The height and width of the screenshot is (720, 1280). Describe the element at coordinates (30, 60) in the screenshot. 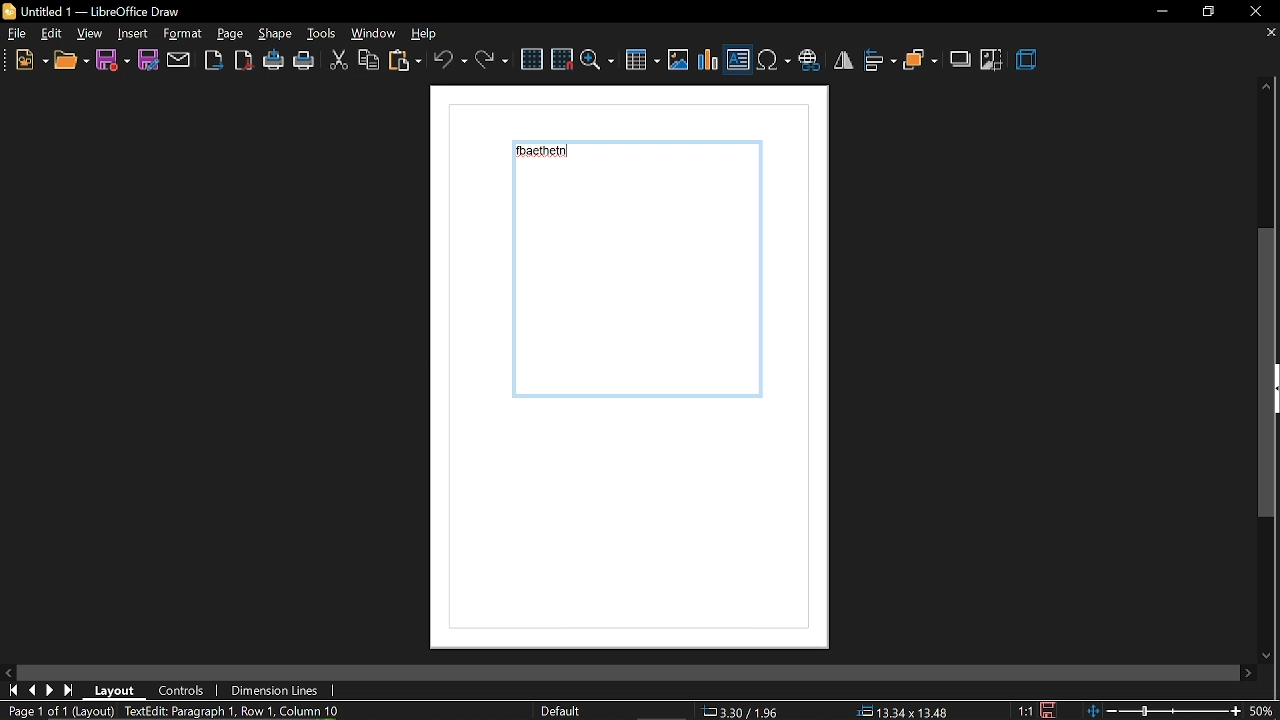

I see `new` at that location.